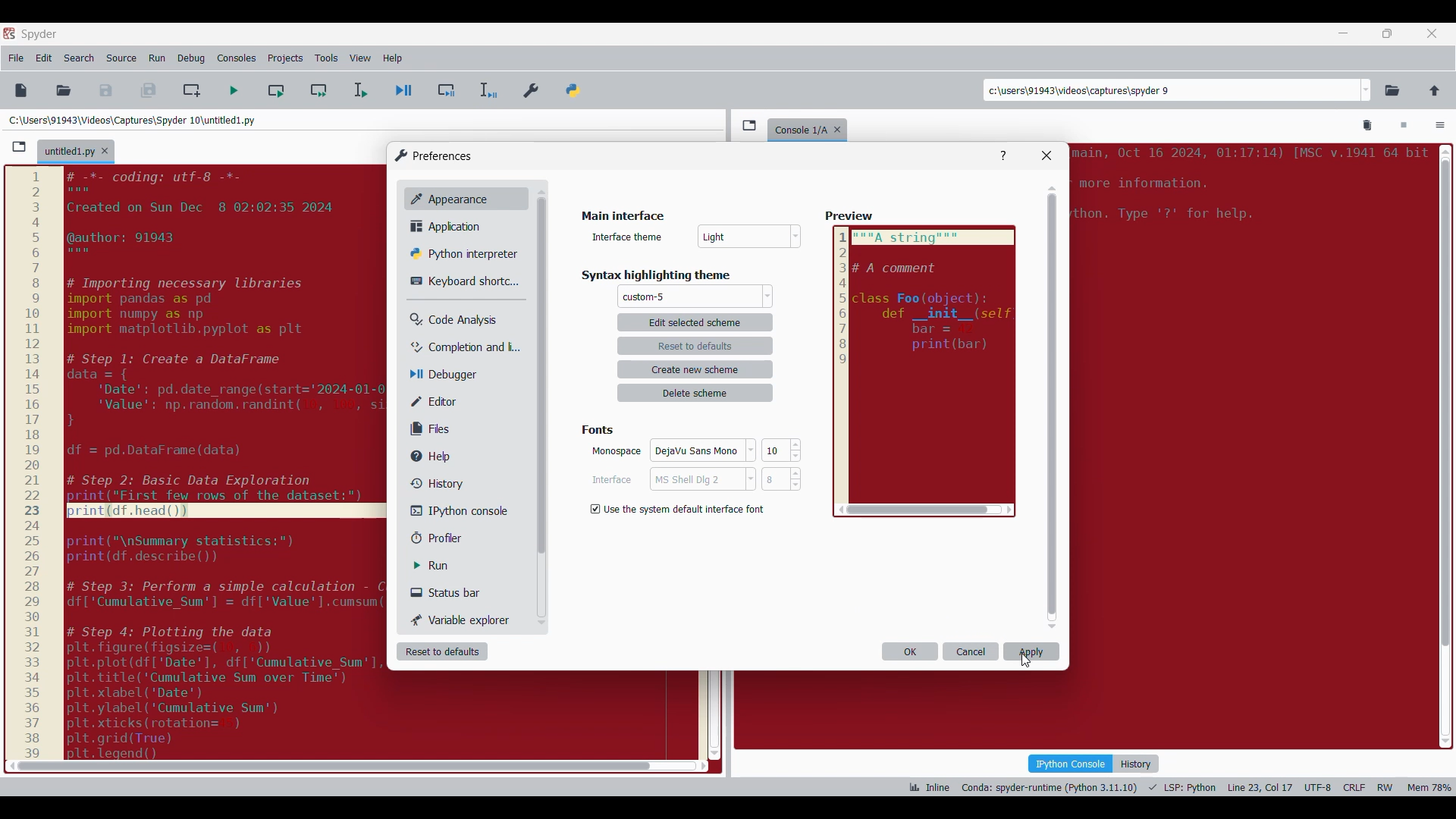 Image resolution: width=1456 pixels, height=819 pixels. What do you see at coordinates (1368, 126) in the screenshot?
I see `Remove all variables from namespace` at bounding box center [1368, 126].